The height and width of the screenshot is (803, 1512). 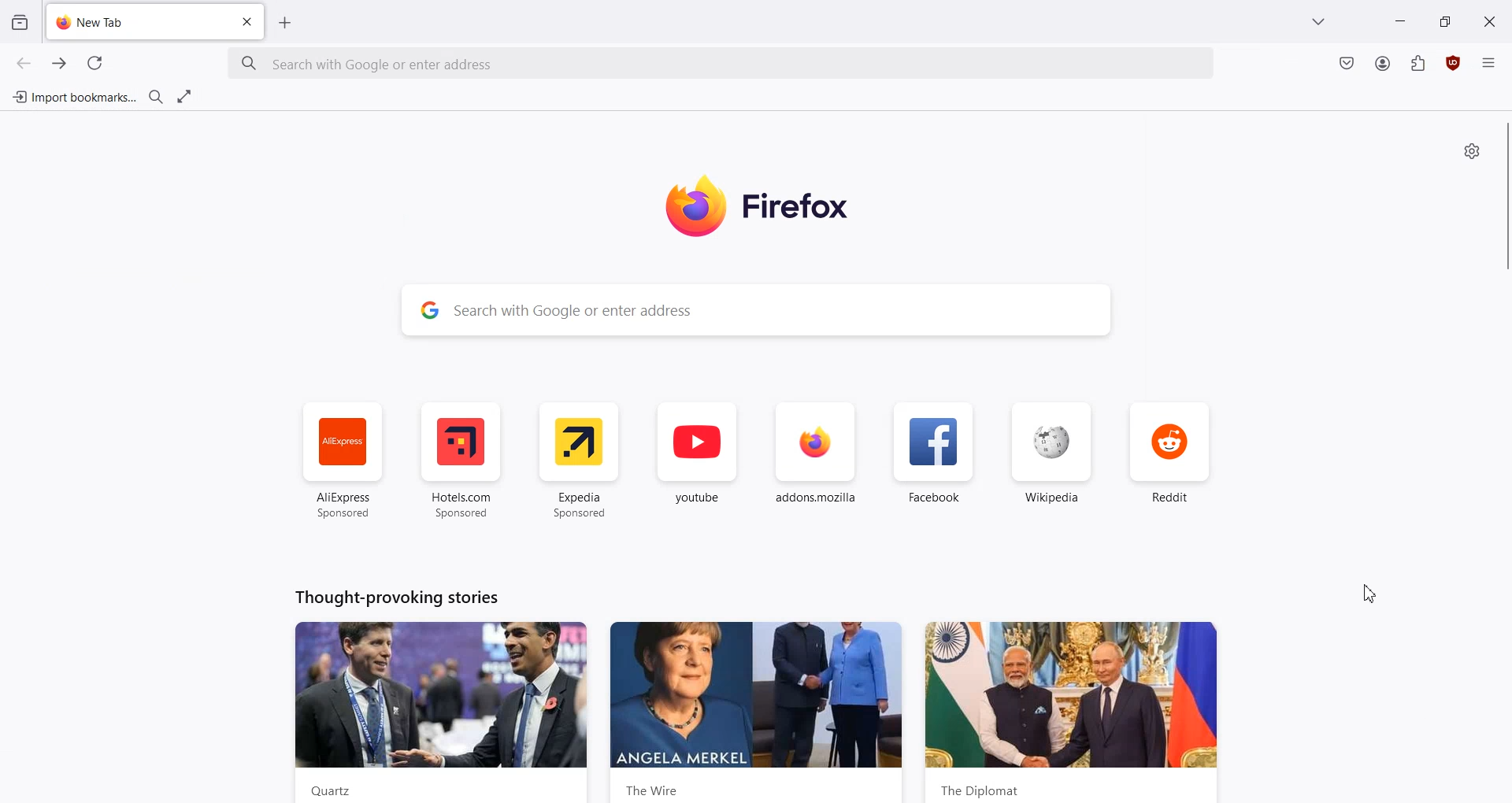 I want to click on View recent browsing, so click(x=19, y=20).